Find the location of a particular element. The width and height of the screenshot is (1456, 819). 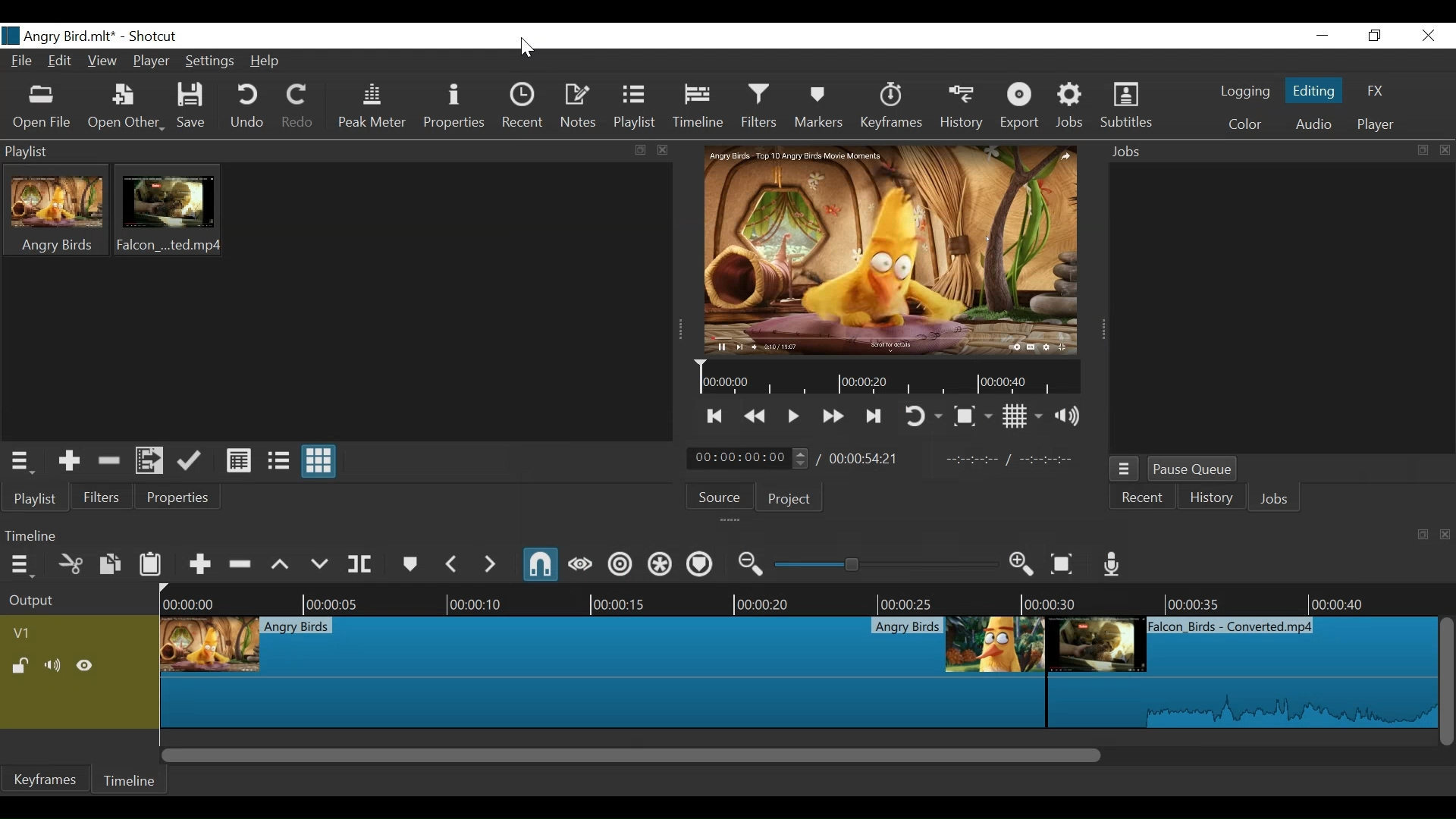

Track Header is located at coordinates (27, 633).